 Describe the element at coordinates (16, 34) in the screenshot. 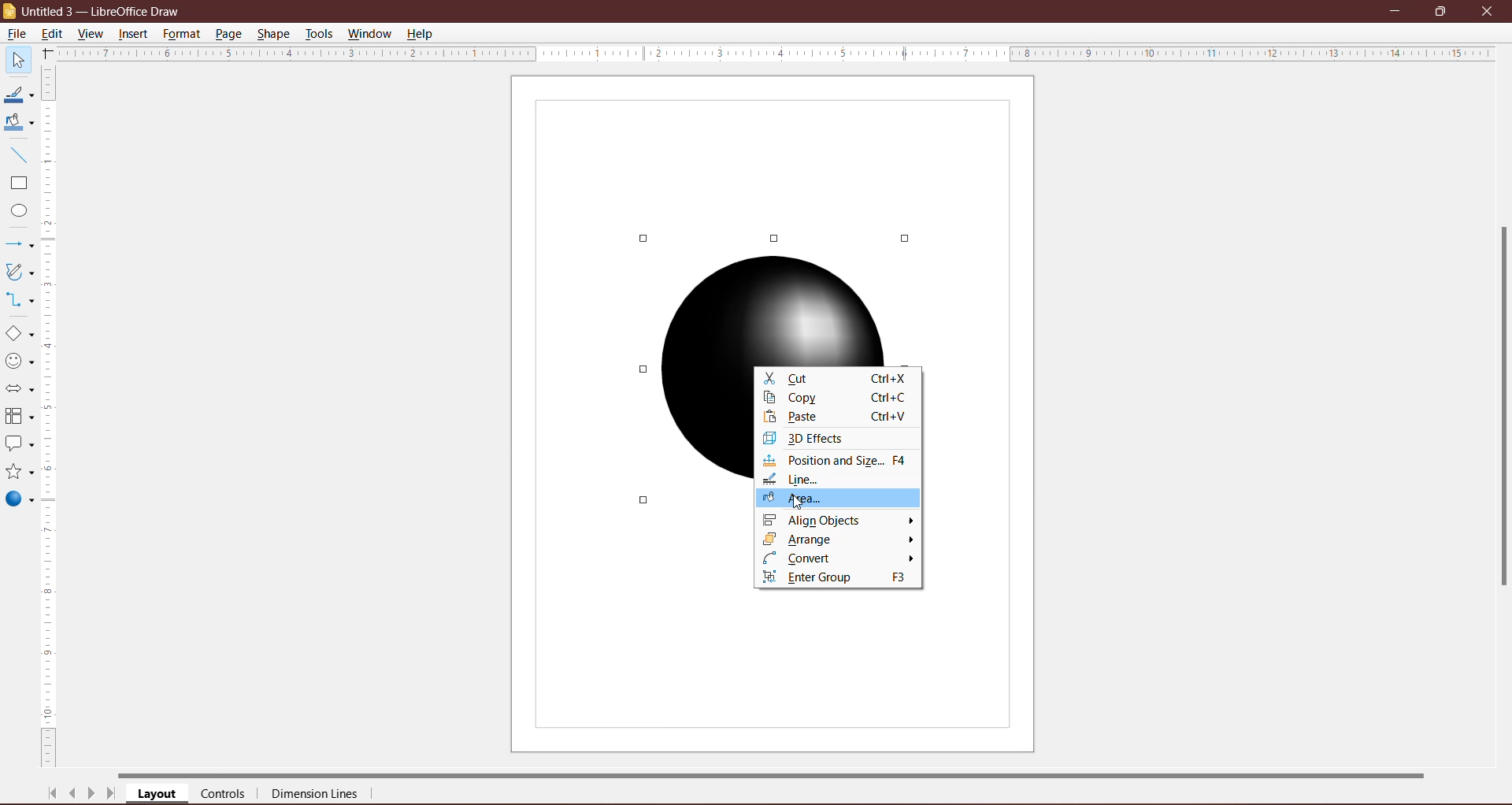

I see `File` at that location.